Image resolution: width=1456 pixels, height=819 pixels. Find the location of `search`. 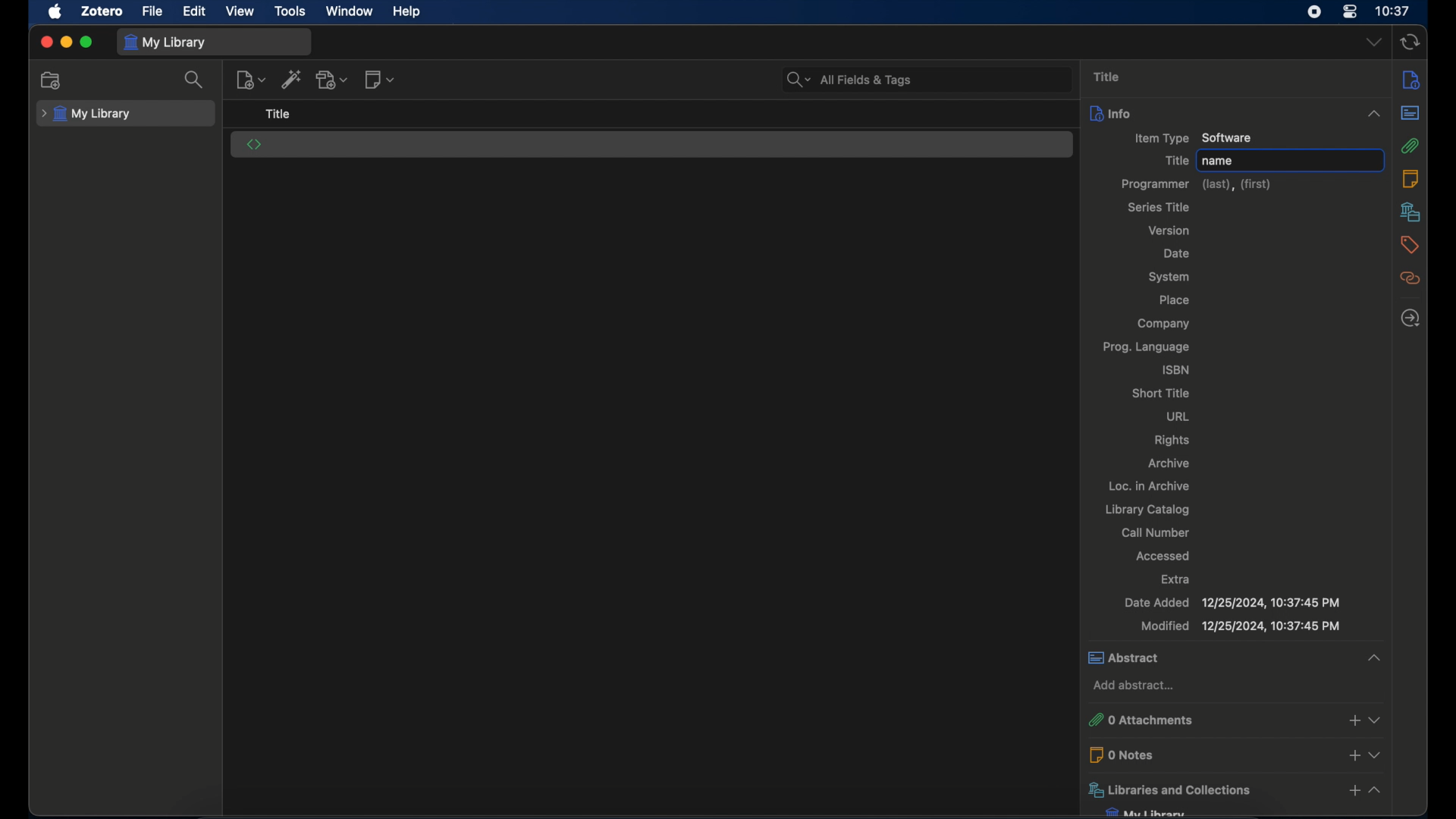

search is located at coordinates (196, 80).